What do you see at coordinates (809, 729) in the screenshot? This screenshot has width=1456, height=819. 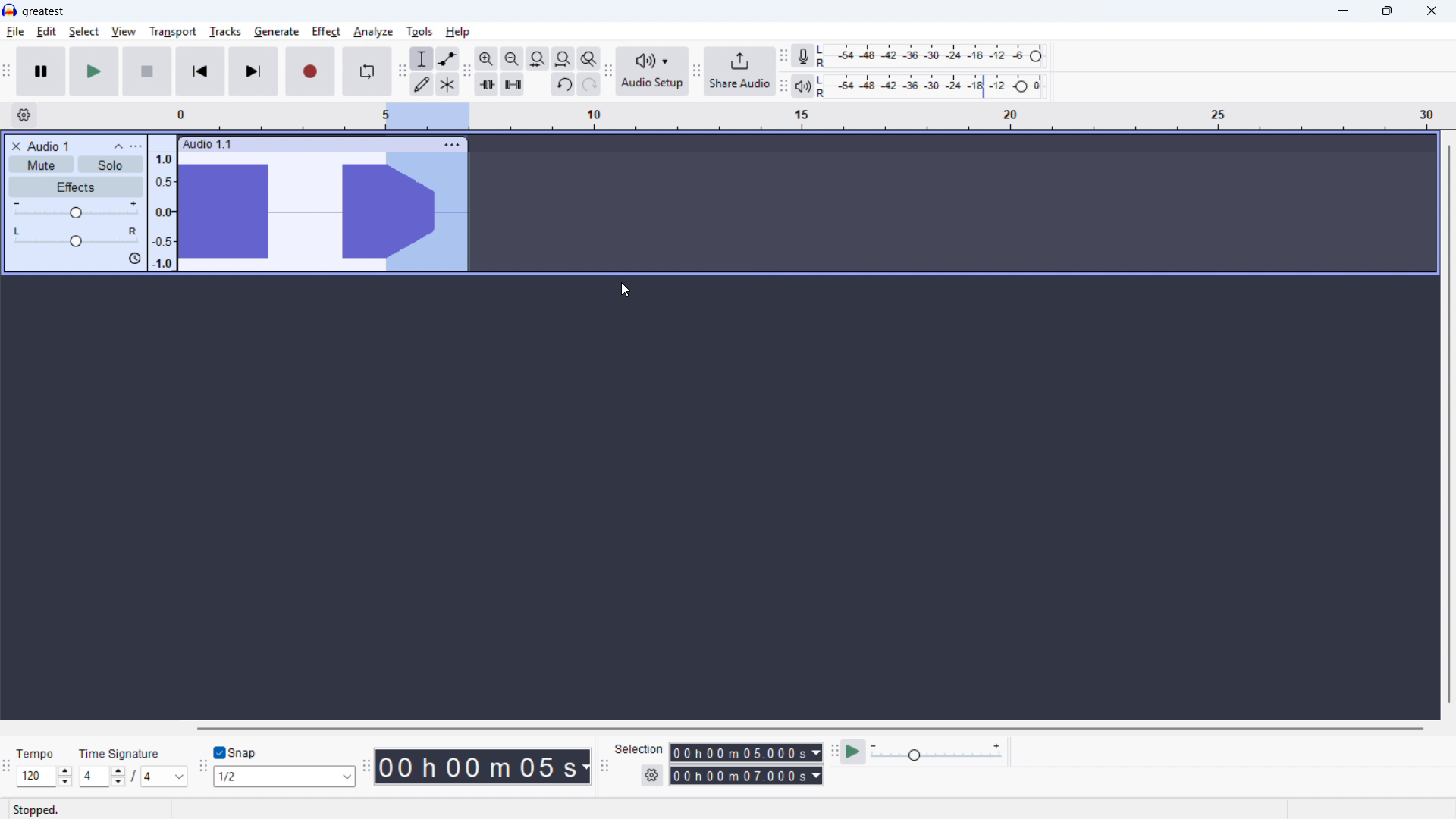 I see `Horizontal scroll bar ` at bounding box center [809, 729].